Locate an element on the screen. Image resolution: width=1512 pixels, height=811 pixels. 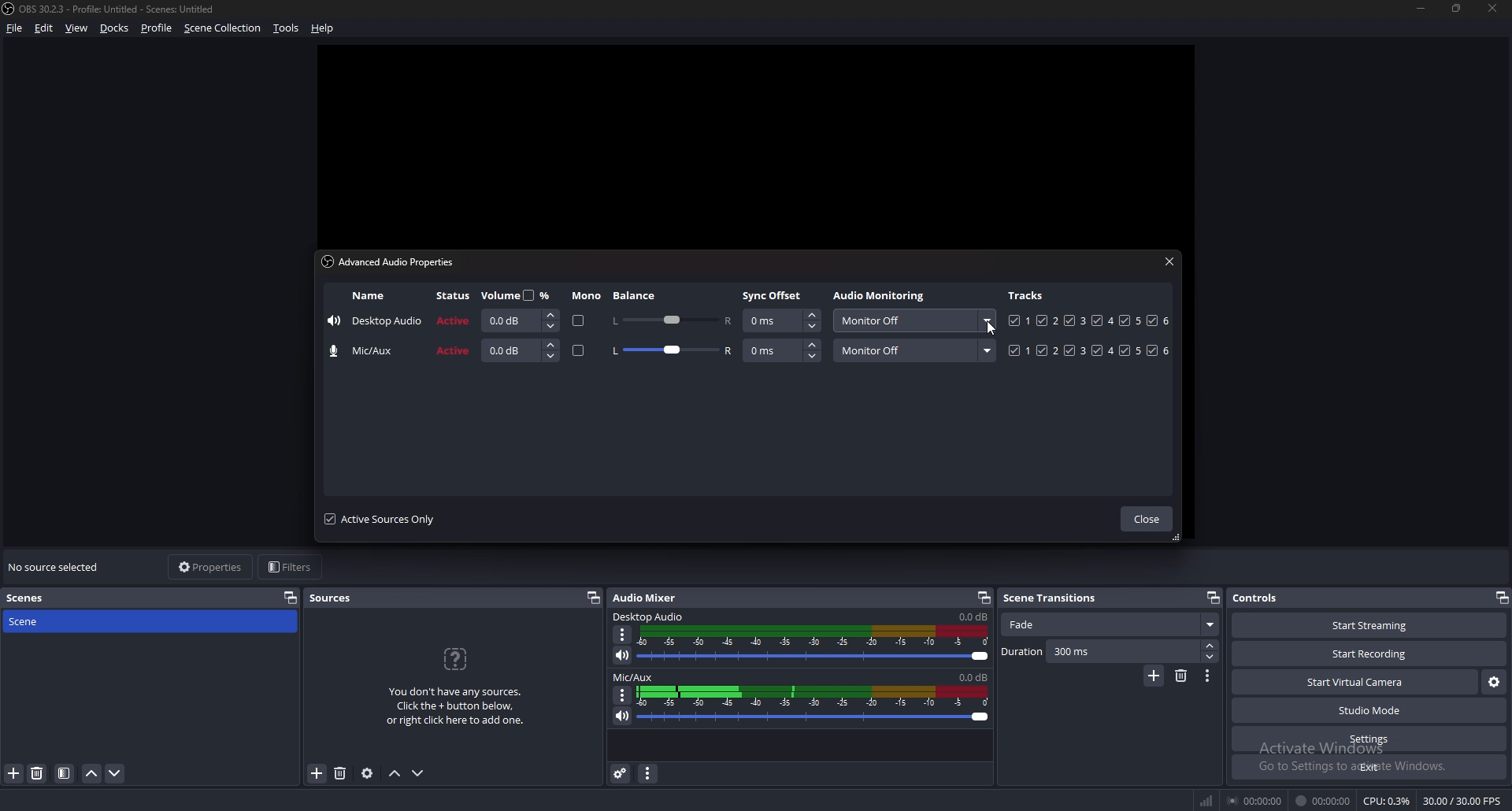
audio mixer is located at coordinates (648, 598).